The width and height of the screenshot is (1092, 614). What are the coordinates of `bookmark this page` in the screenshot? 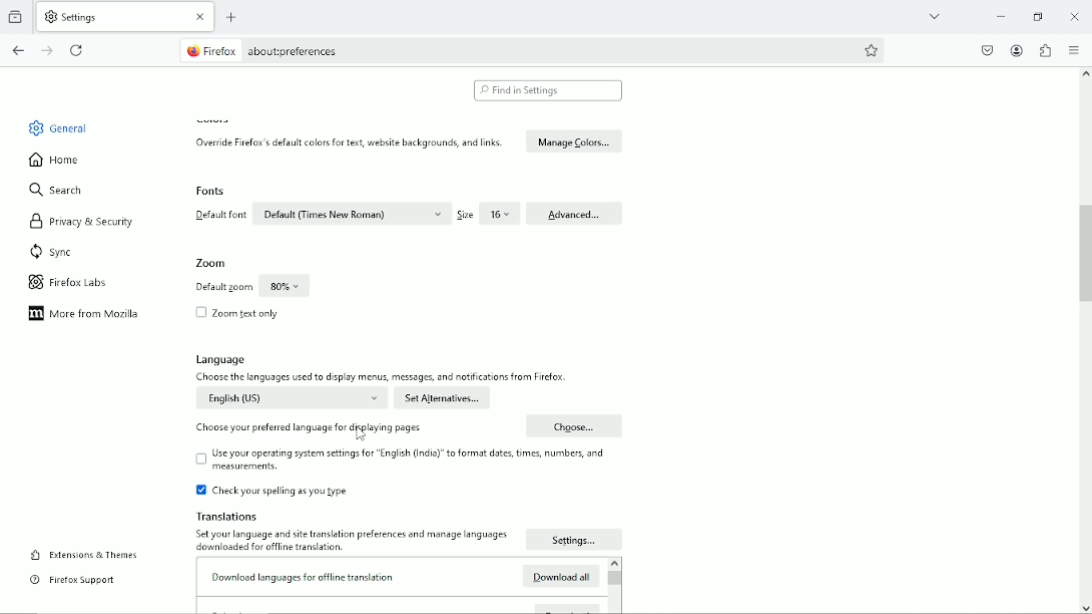 It's located at (871, 51).